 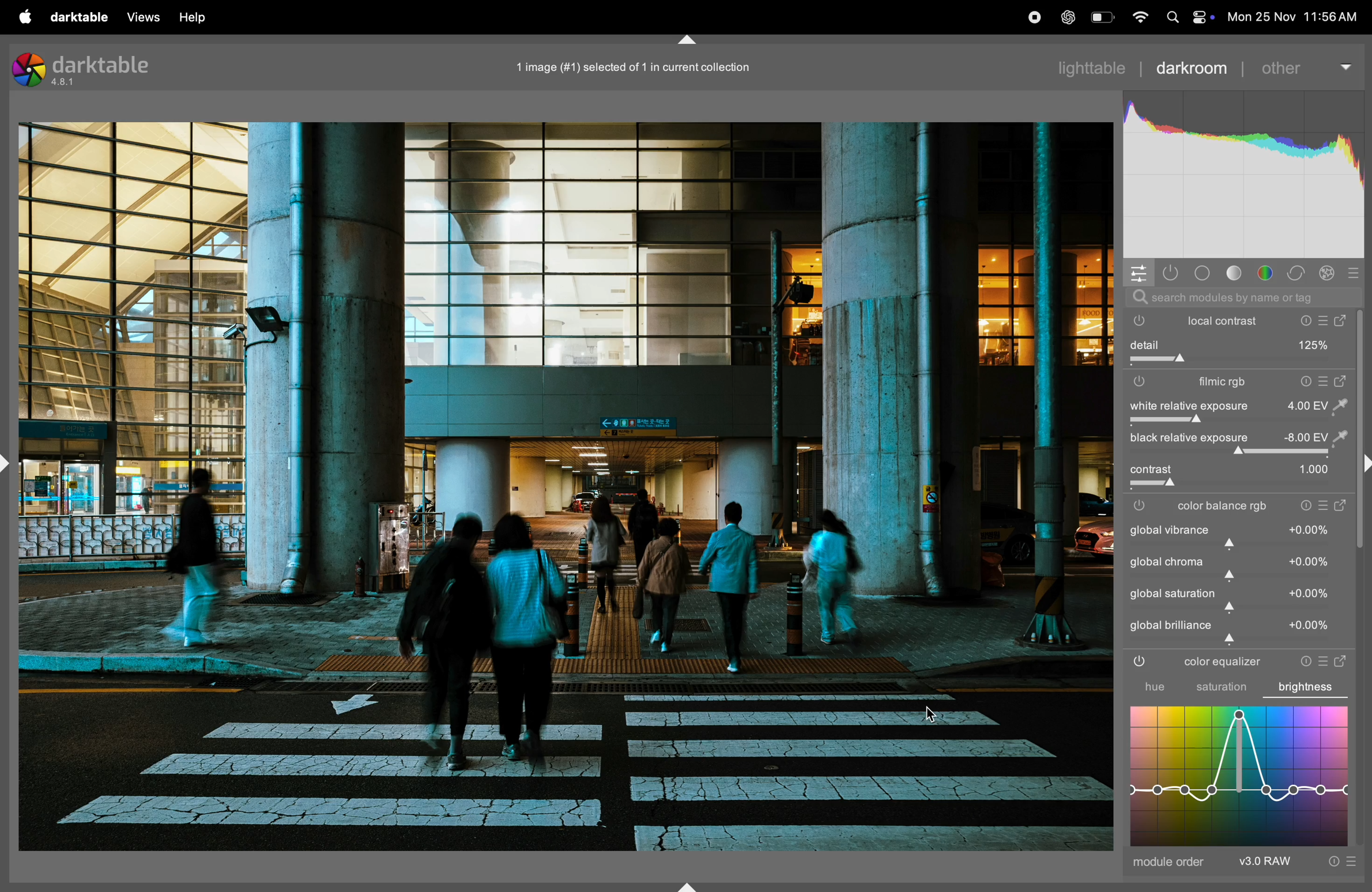 What do you see at coordinates (933, 723) in the screenshot?
I see `cursor` at bounding box center [933, 723].